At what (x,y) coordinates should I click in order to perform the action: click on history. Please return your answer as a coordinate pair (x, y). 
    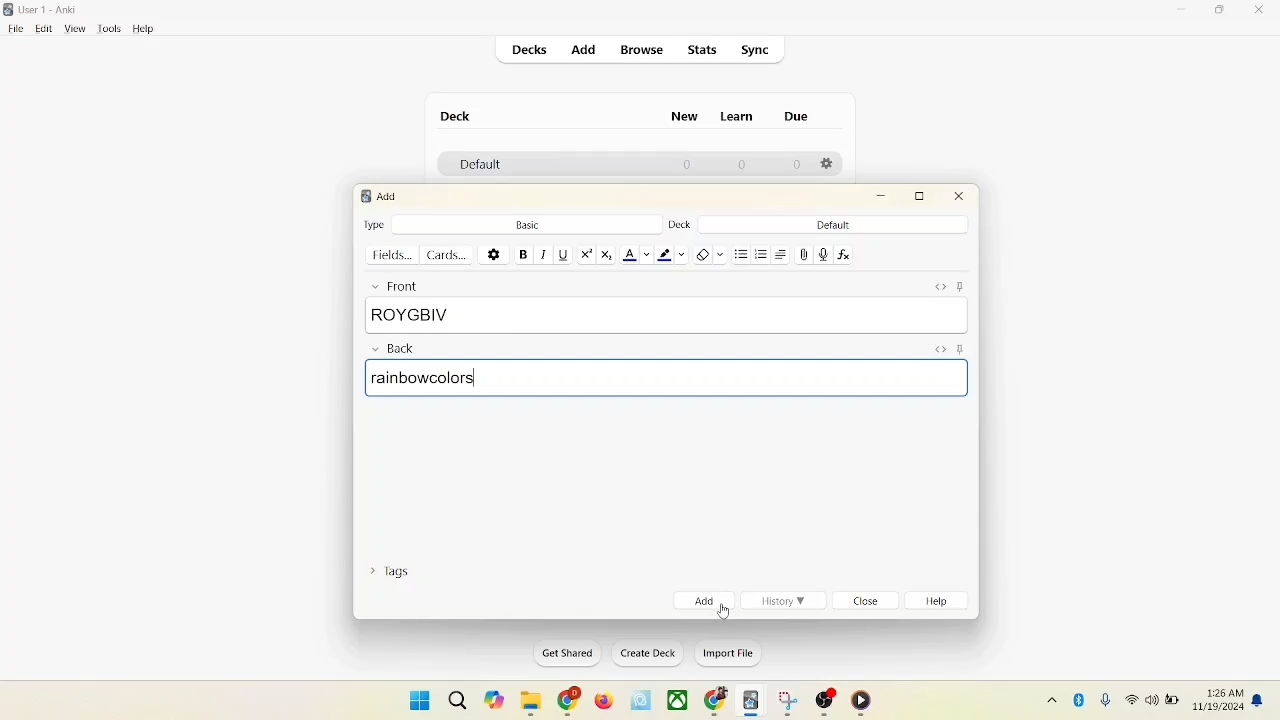
    Looking at the image, I should click on (784, 601).